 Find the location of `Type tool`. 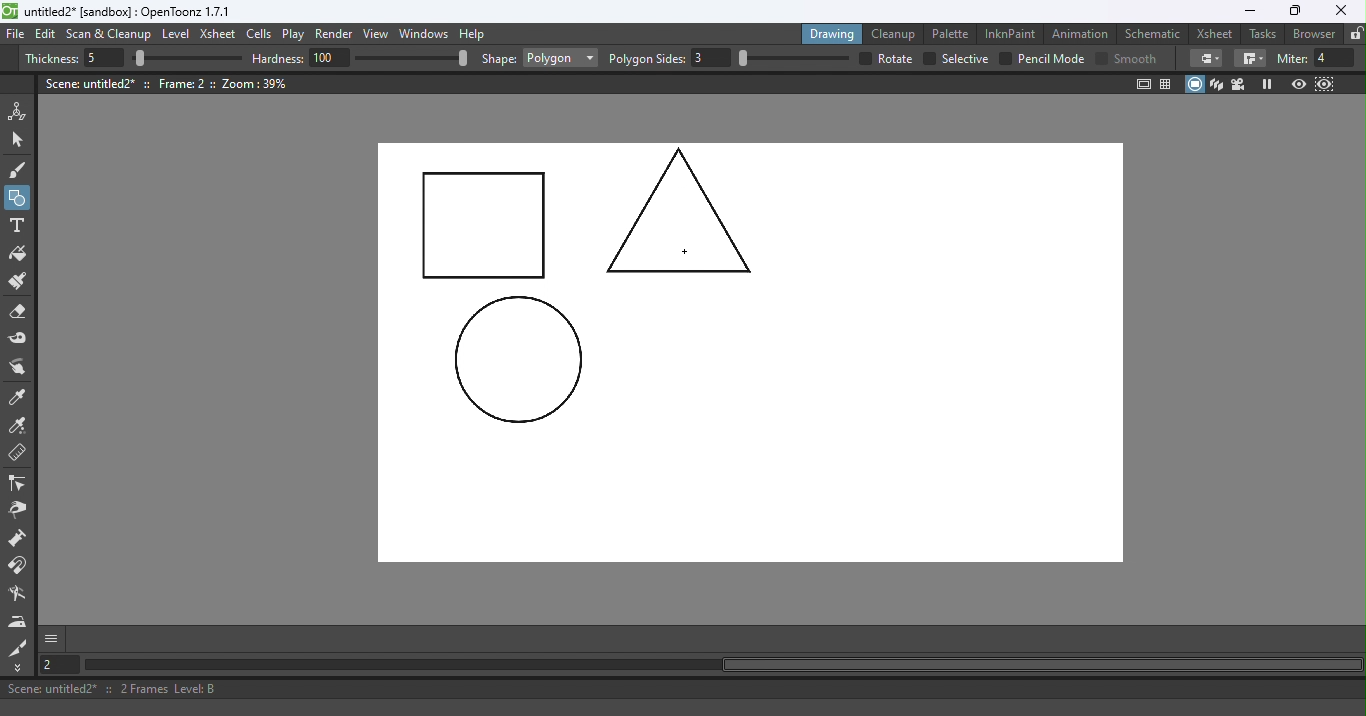

Type tool is located at coordinates (17, 227).